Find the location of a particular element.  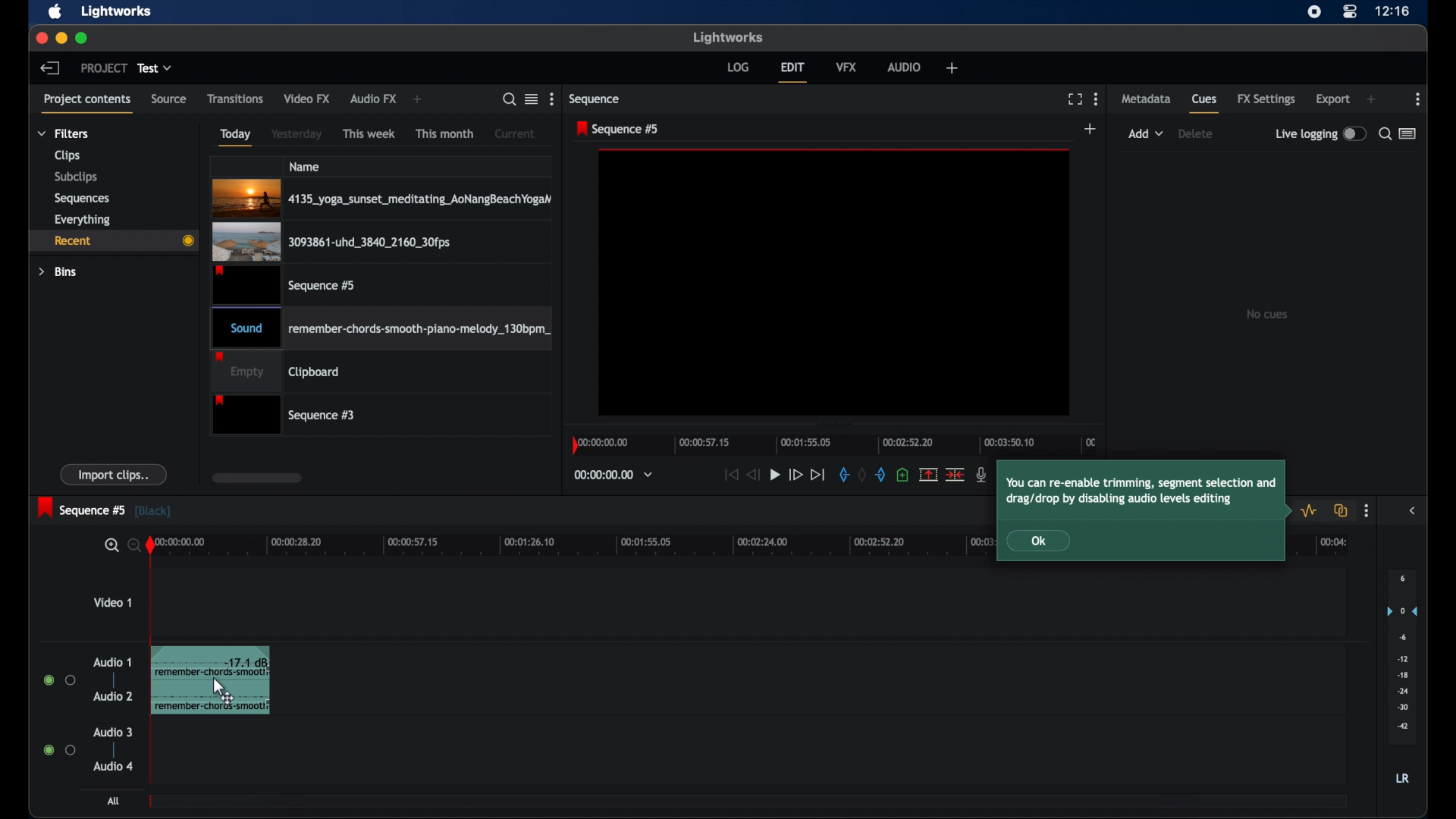

jump to end is located at coordinates (819, 475).